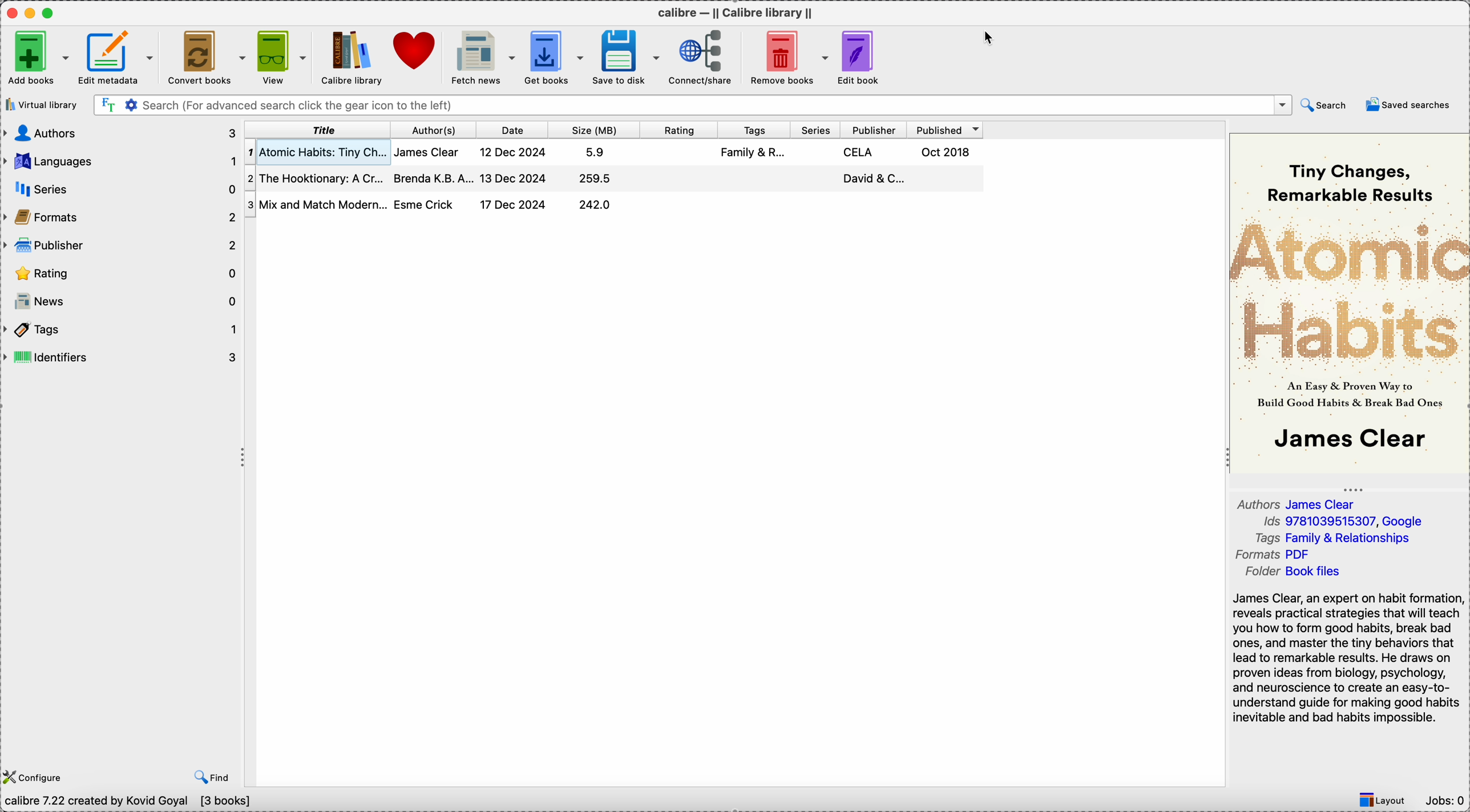 This screenshot has height=812, width=1470. Describe the element at coordinates (120, 159) in the screenshot. I see `languages` at that location.